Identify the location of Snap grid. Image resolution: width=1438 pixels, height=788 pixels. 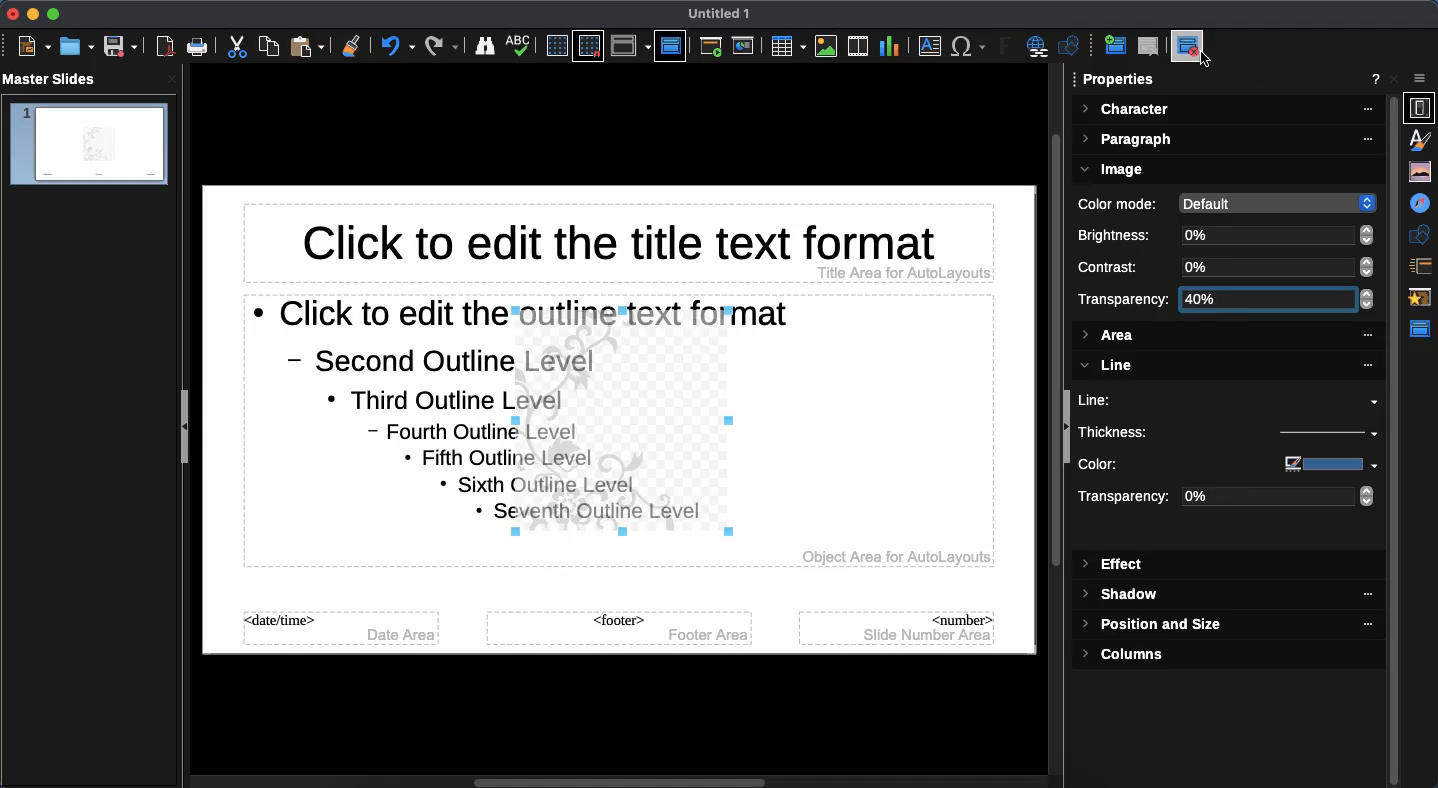
(588, 47).